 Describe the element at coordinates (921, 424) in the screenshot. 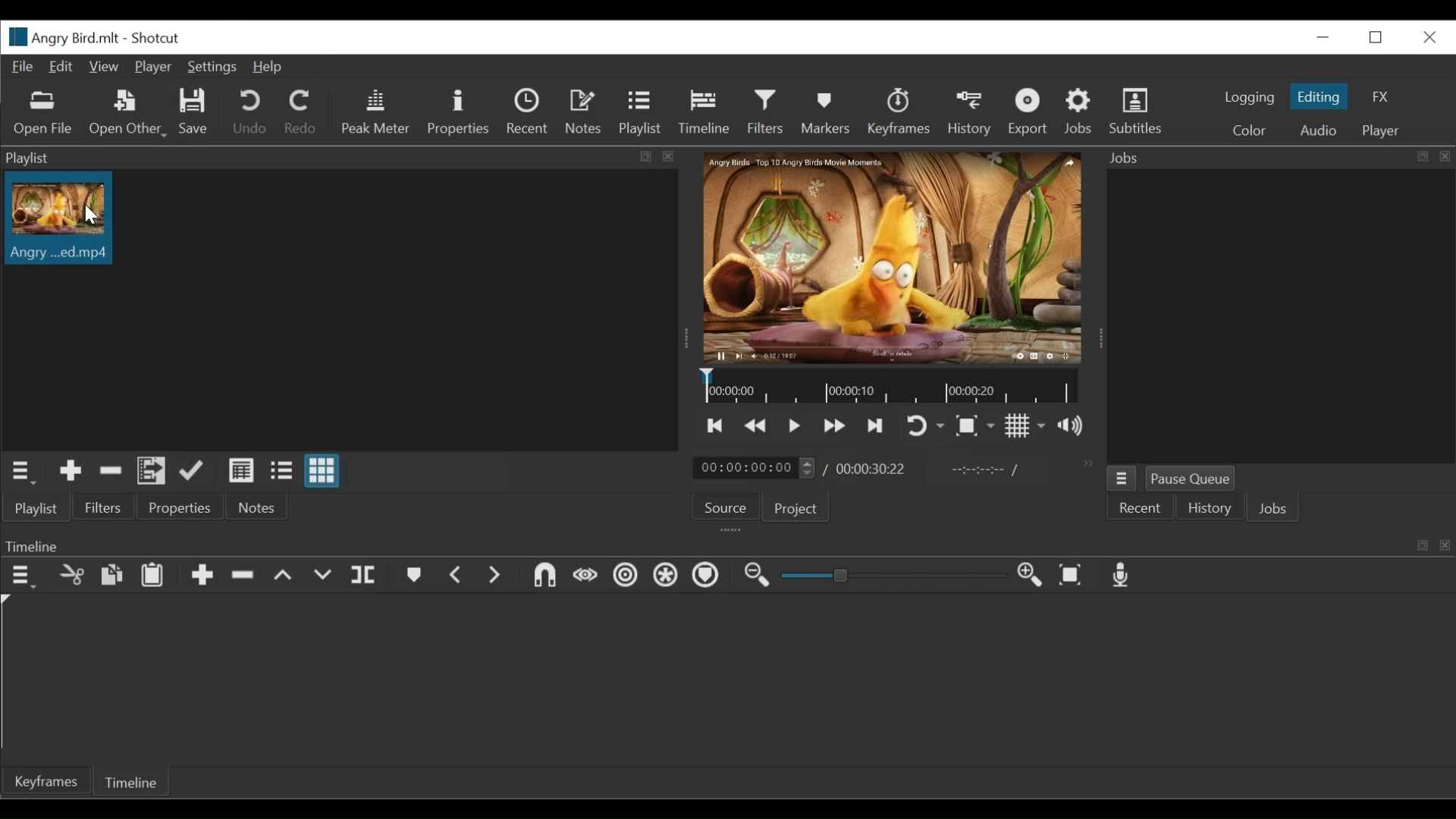

I see `Toggle player looping` at that location.